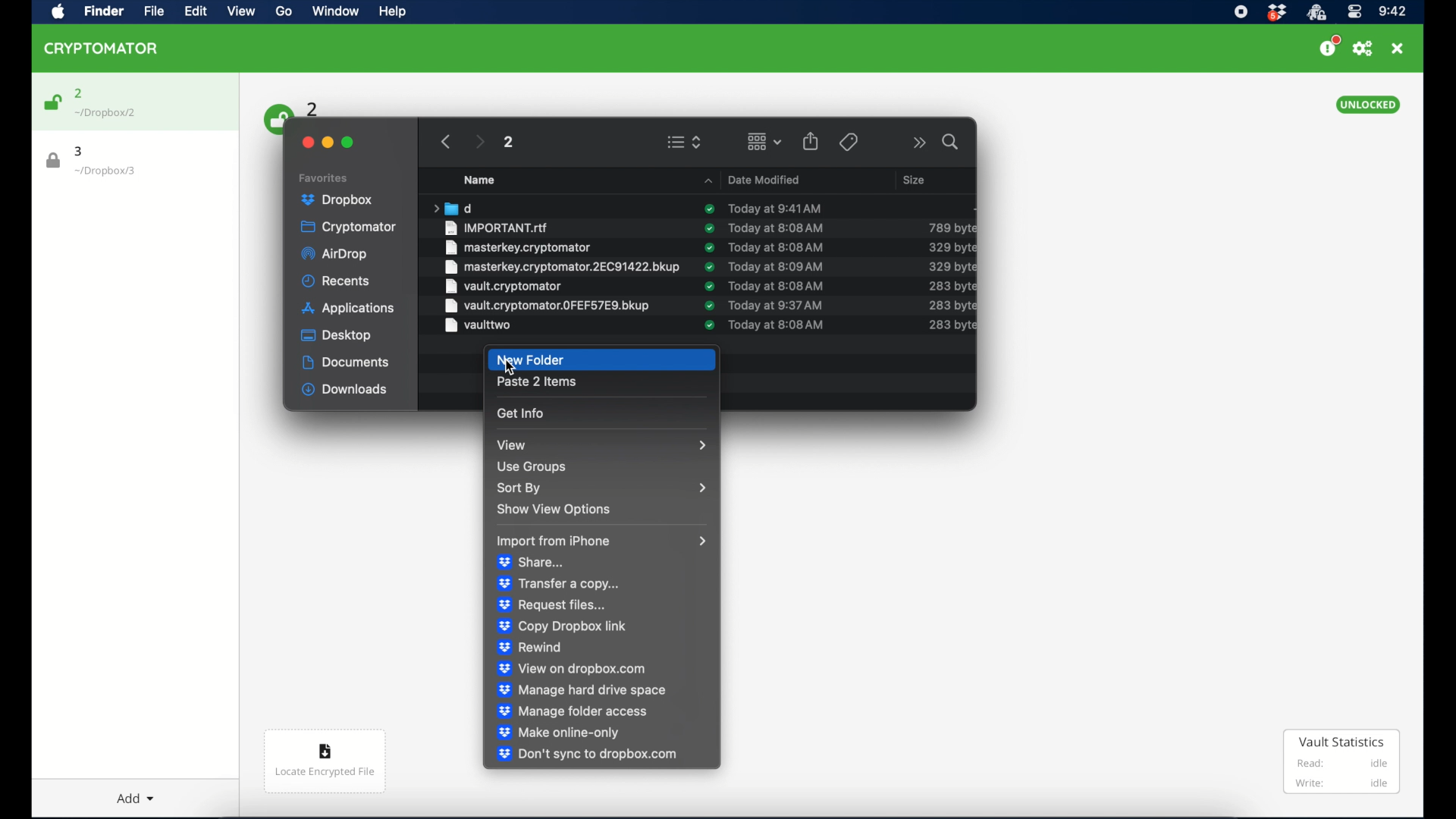 Image resolution: width=1456 pixels, height=819 pixels. Describe the element at coordinates (952, 247) in the screenshot. I see `size` at that location.